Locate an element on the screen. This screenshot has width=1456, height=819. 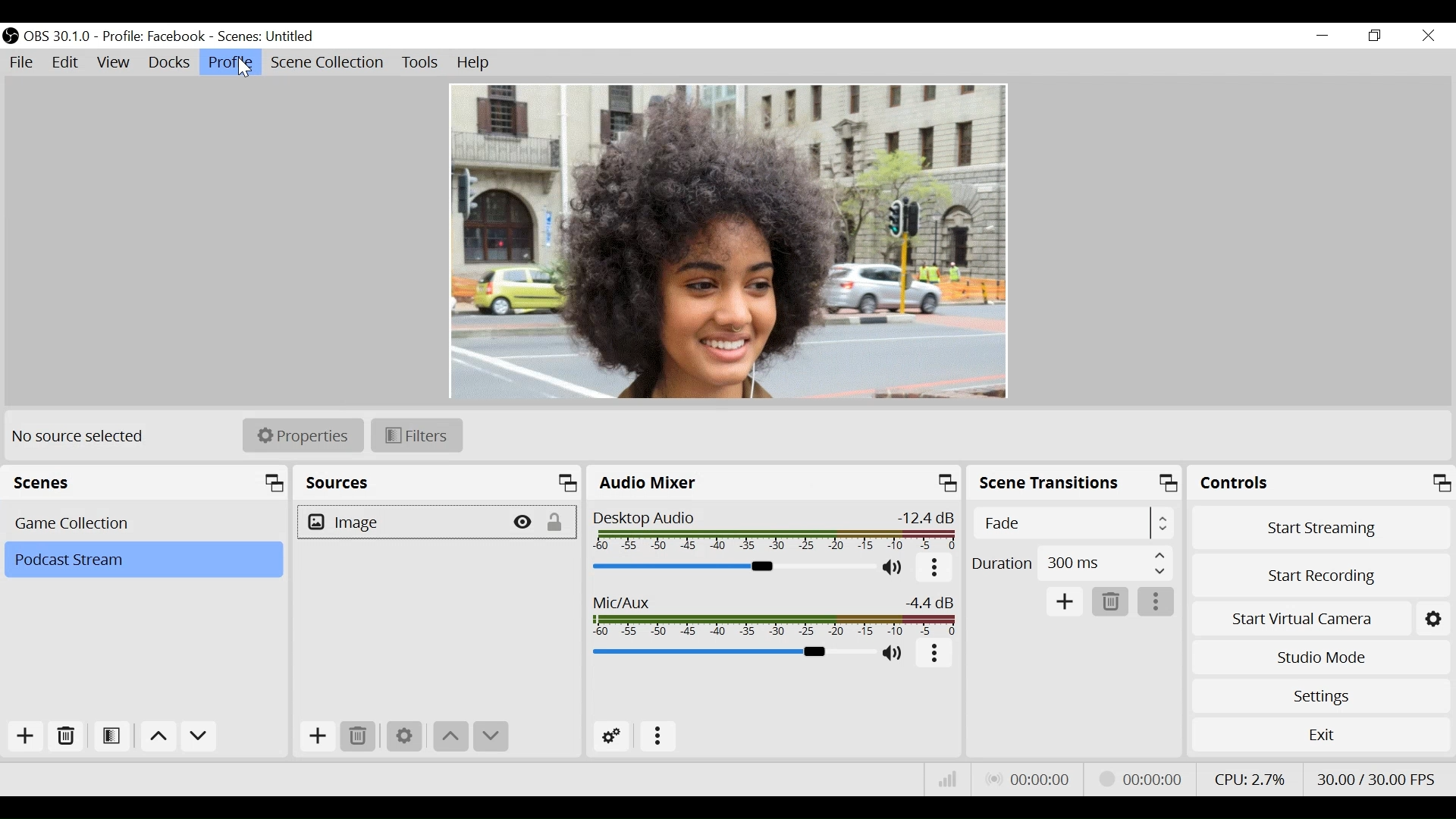
More options is located at coordinates (661, 738).